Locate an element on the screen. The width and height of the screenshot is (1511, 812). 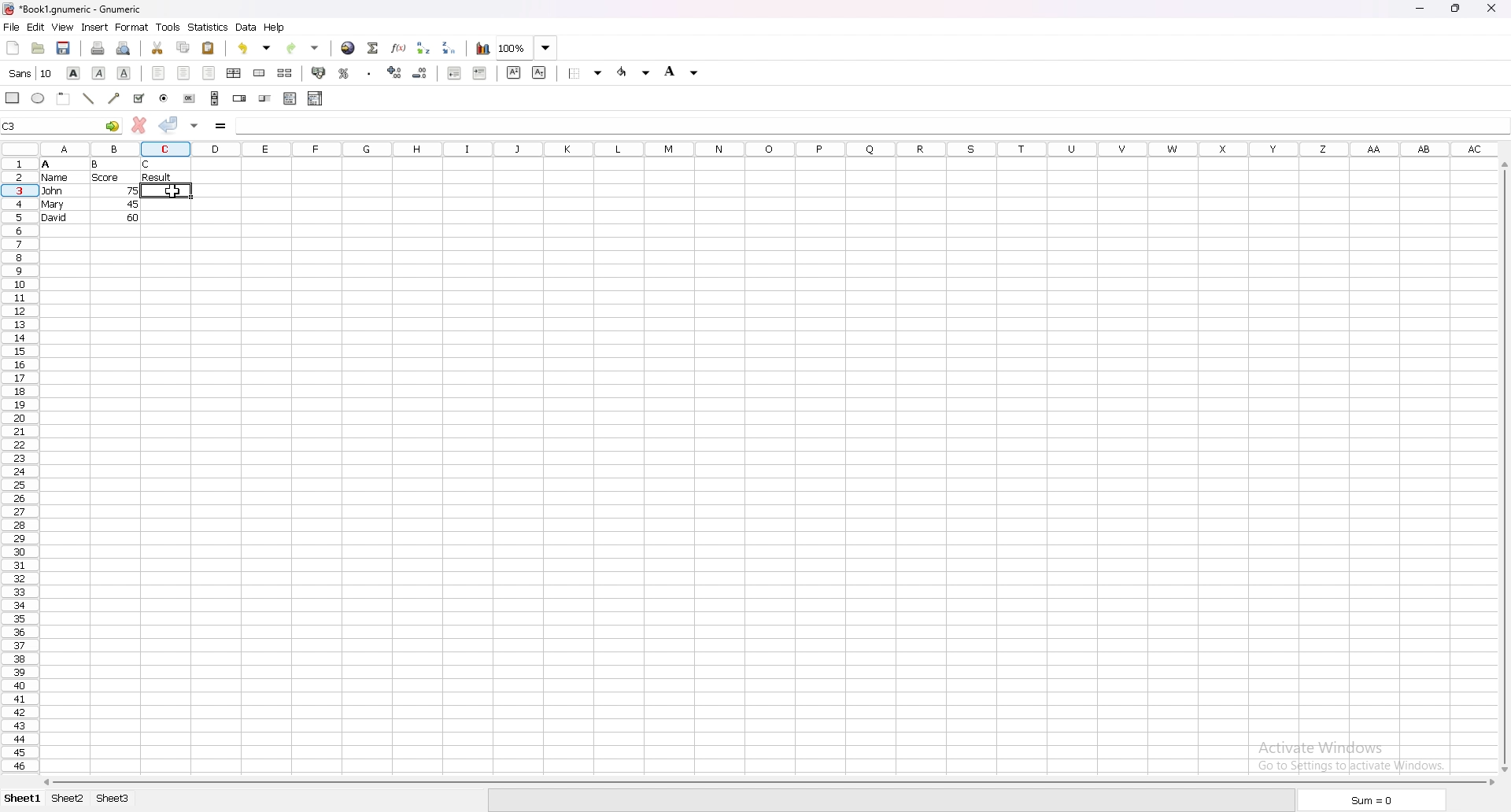
save is located at coordinates (64, 48).